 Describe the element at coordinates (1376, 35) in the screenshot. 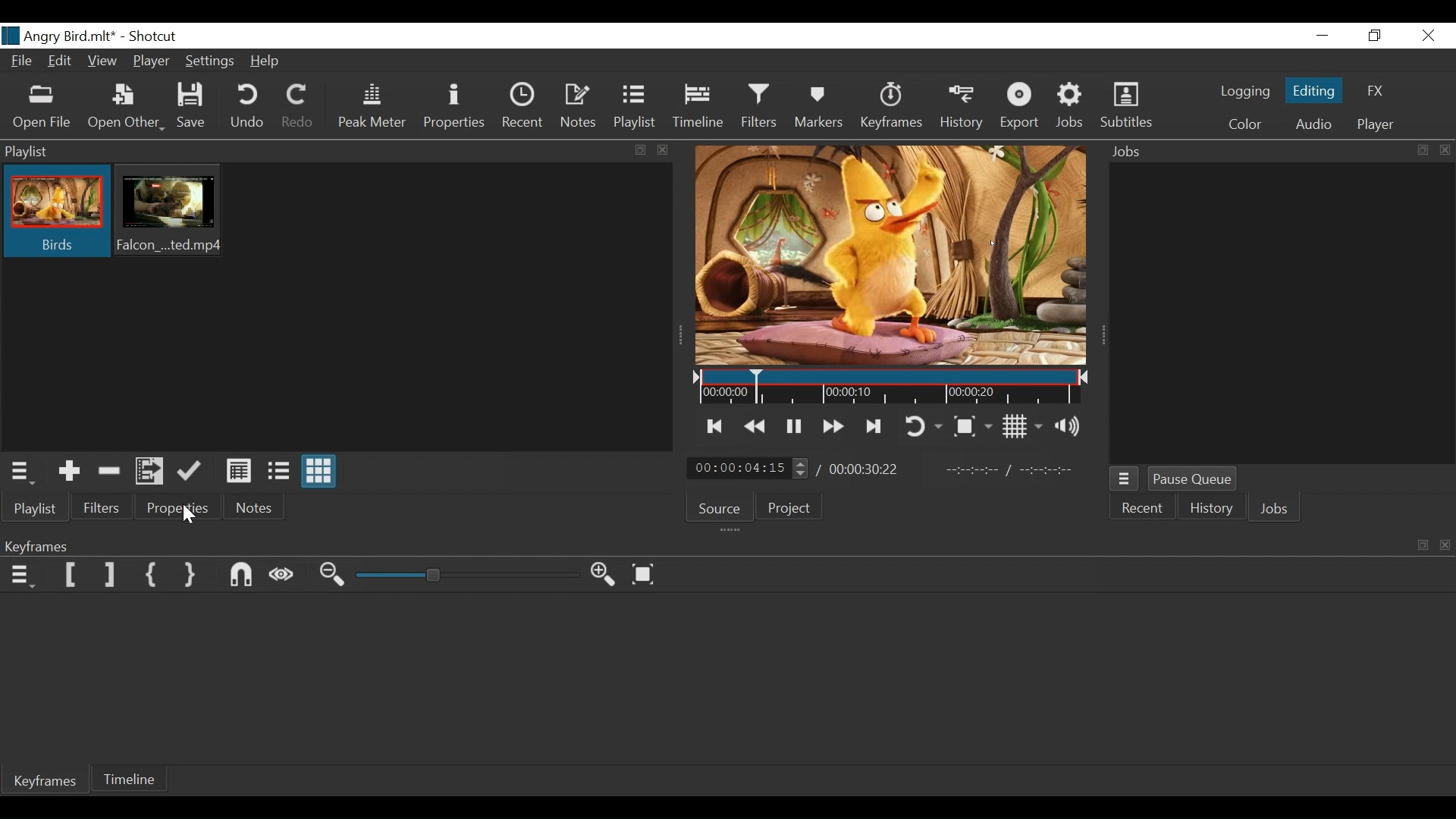

I see `Restore` at that location.